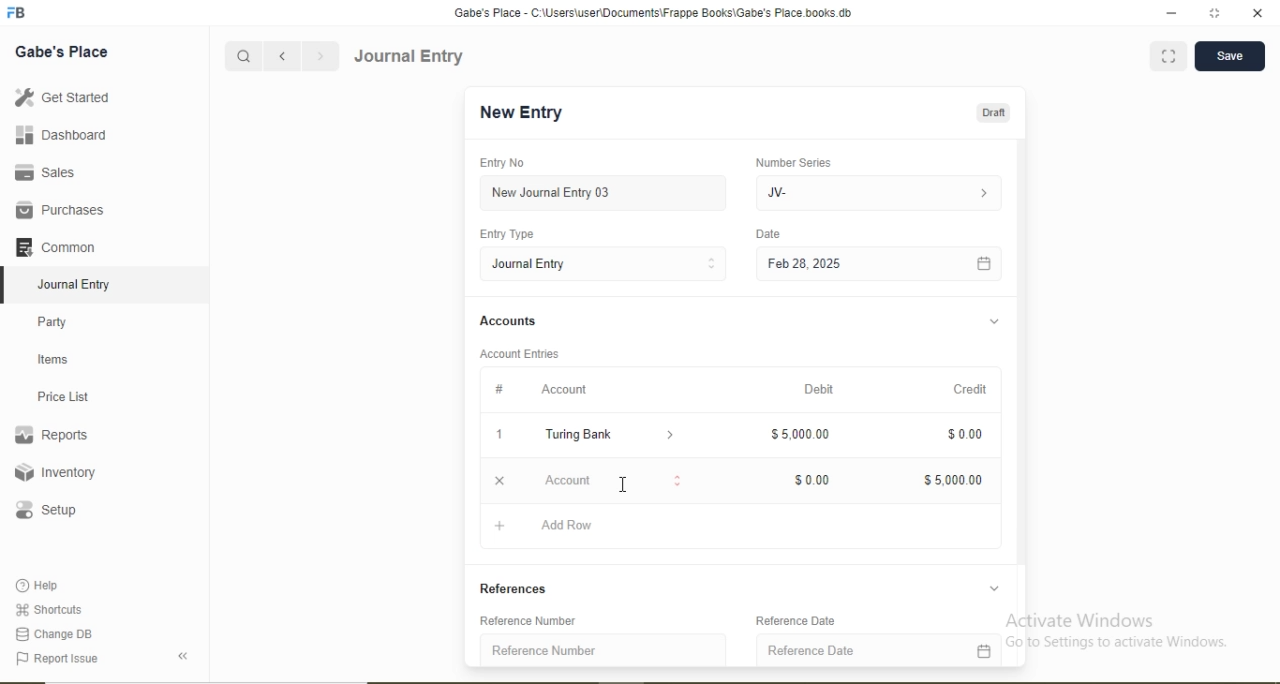 This screenshot has width=1280, height=684. Describe the element at coordinates (51, 435) in the screenshot. I see `Reports` at that location.